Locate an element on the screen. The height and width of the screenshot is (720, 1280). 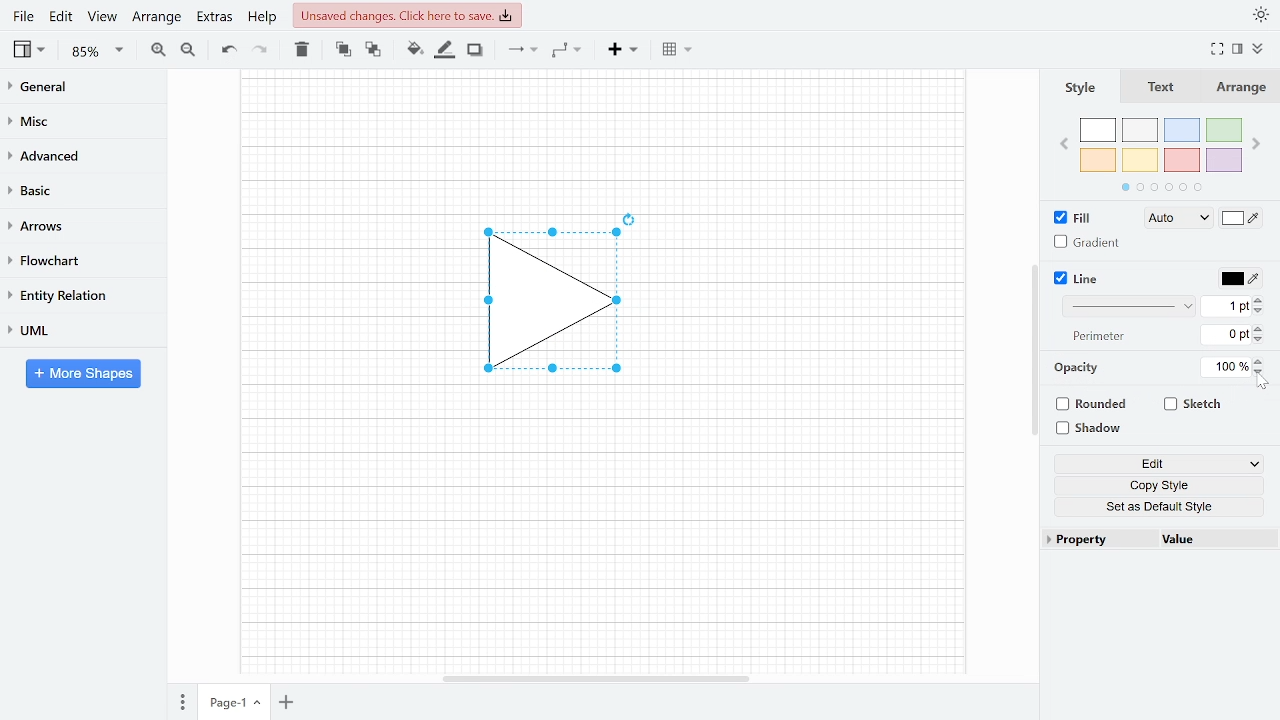
Table is located at coordinates (679, 48).